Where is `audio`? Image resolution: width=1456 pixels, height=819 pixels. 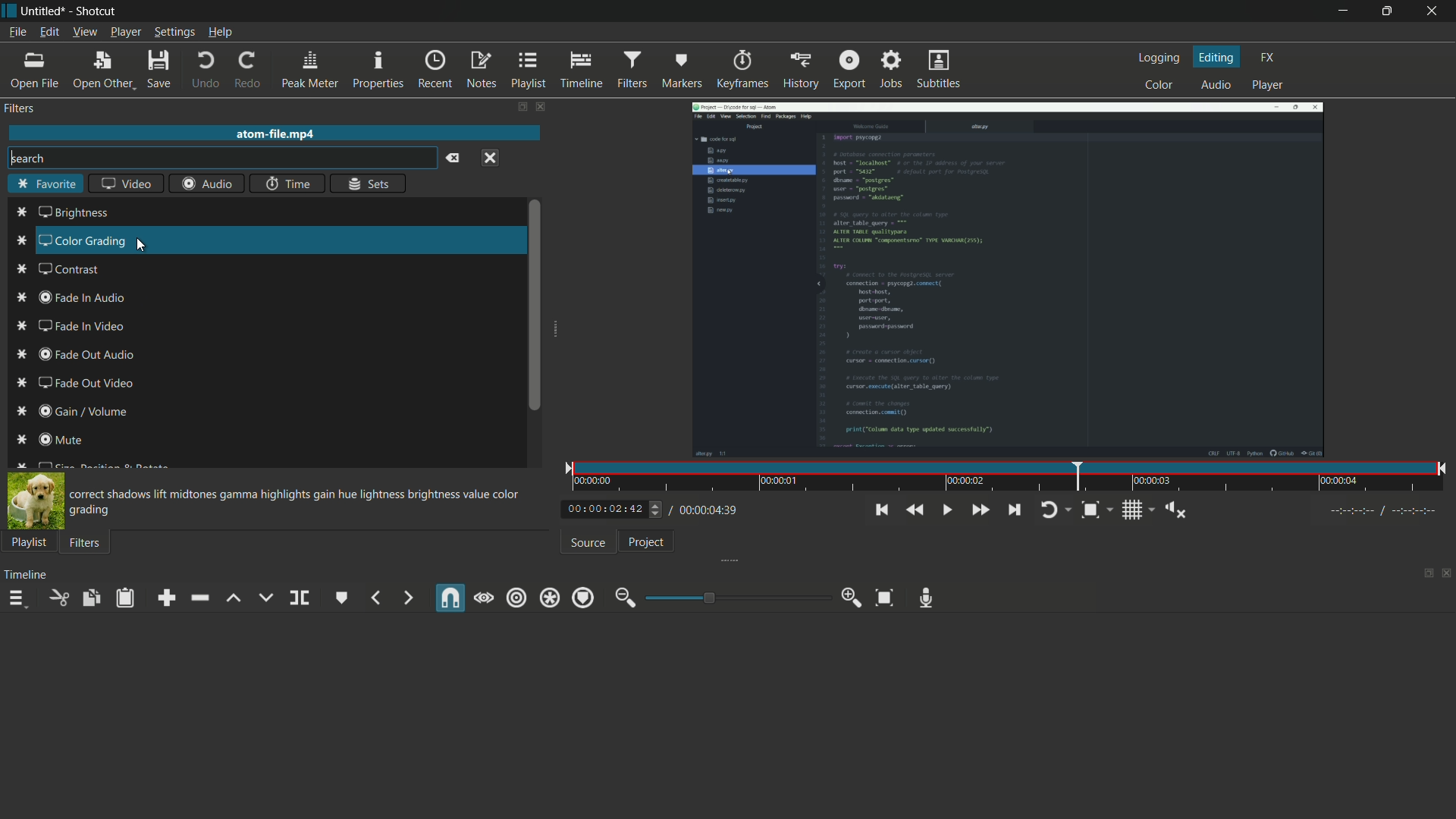 audio is located at coordinates (210, 185).